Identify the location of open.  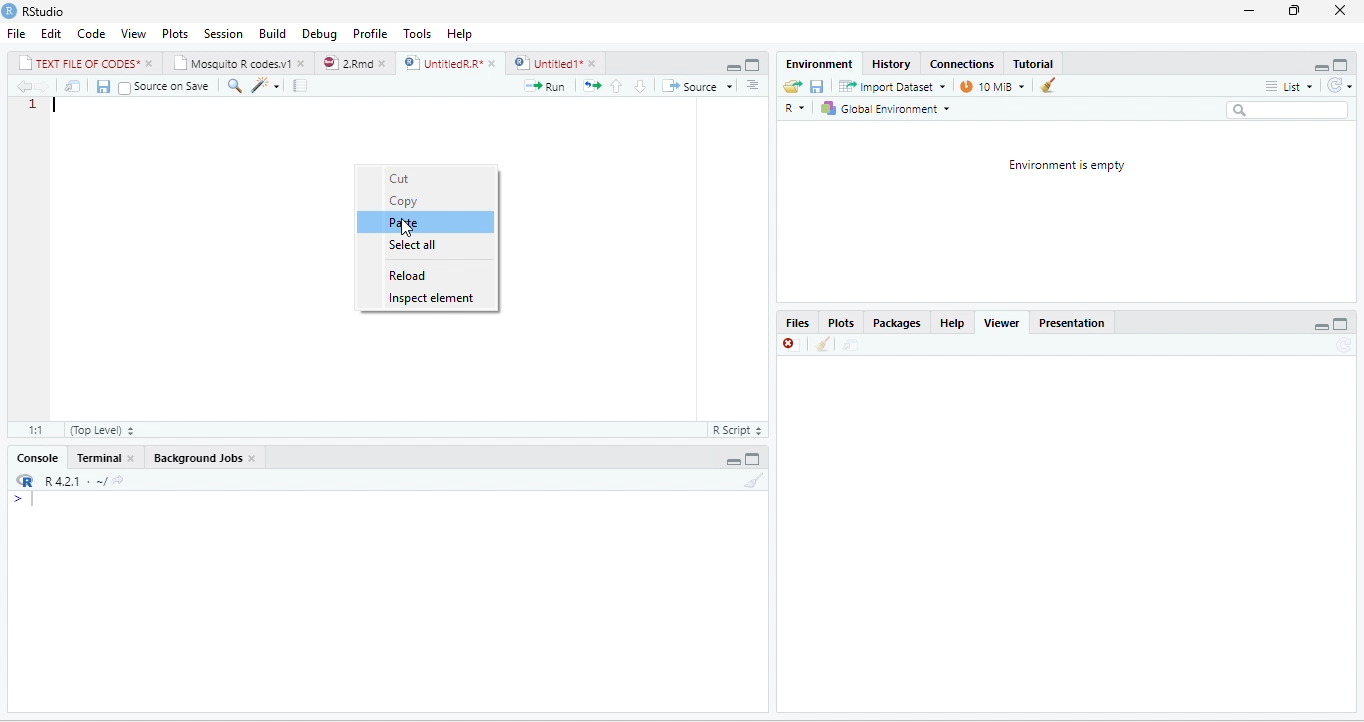
(789, 87).